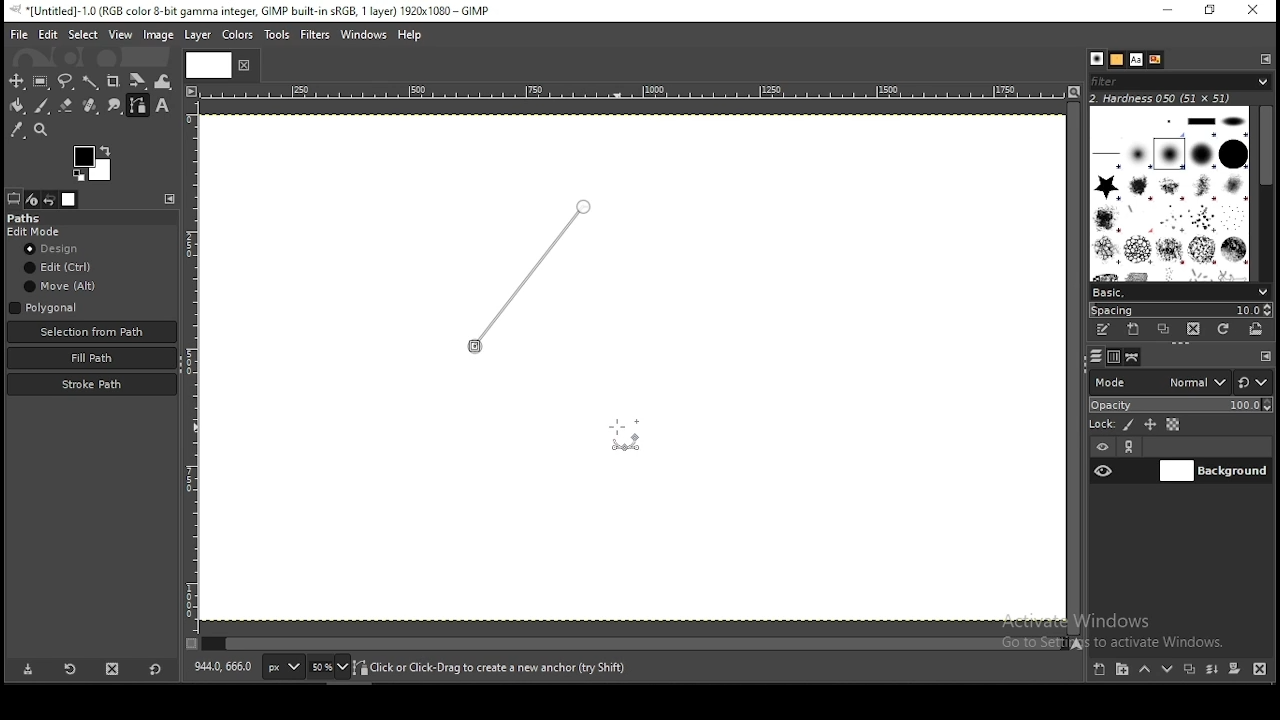 Image resolution: width=1280 pixels, height=720 pixels. Describe the element at coordinates (1154, 59) in the screenshot. I see `document history` at that location.